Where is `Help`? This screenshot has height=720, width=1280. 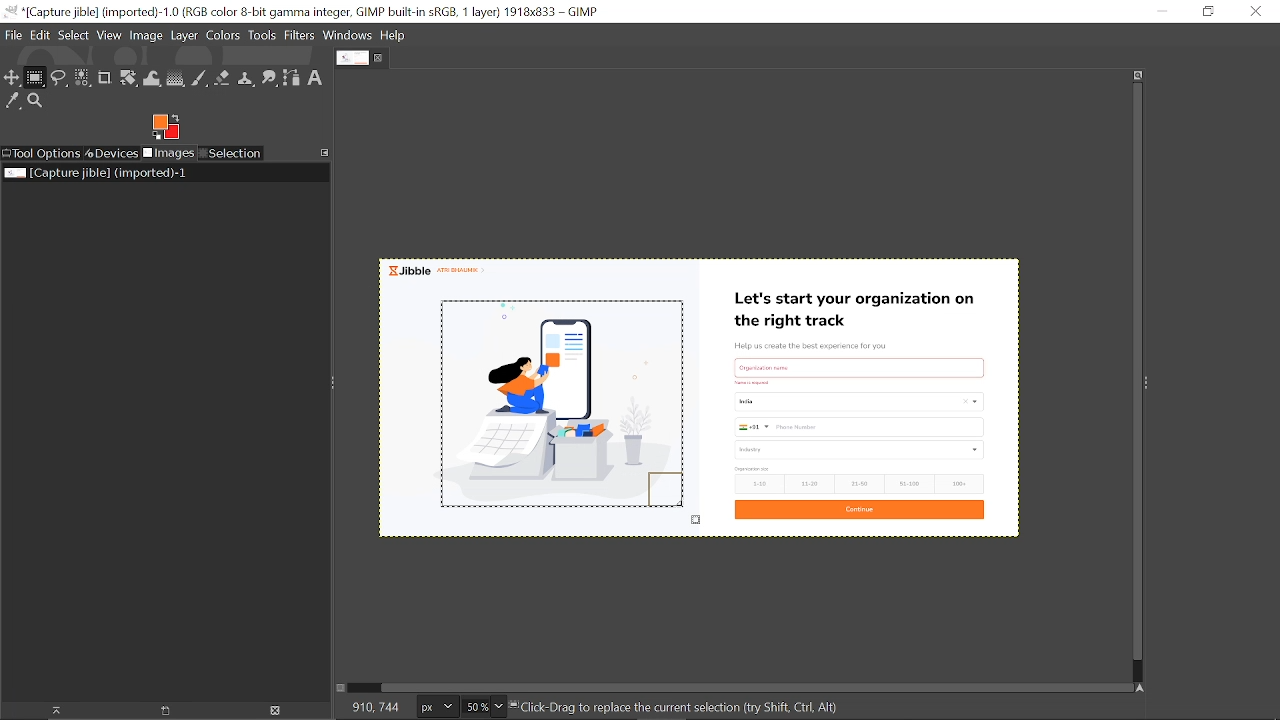
Help is located at coordinates (394, 36).